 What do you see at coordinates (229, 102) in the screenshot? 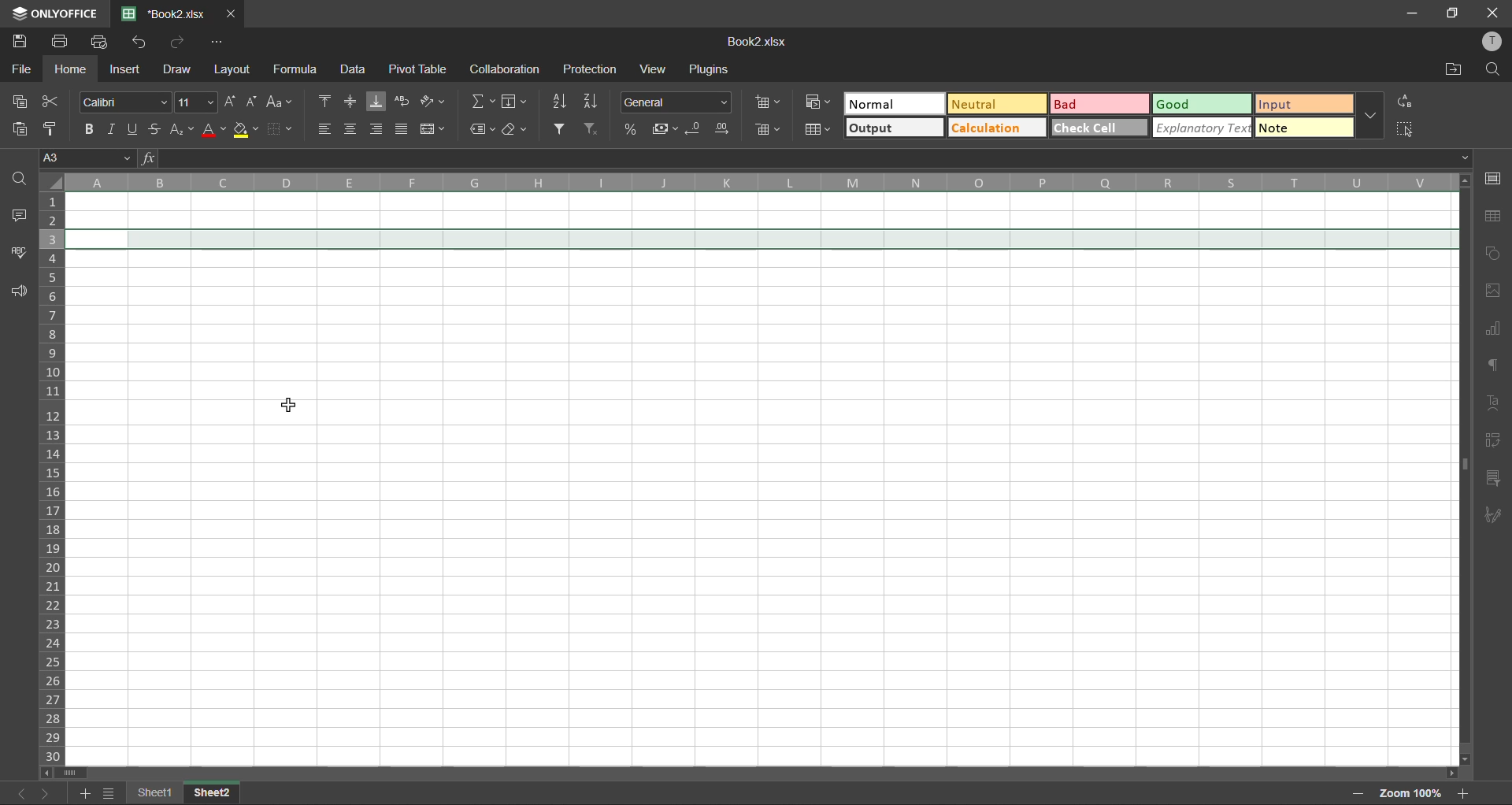
I see `increment size` at bounding box center [229, 102].